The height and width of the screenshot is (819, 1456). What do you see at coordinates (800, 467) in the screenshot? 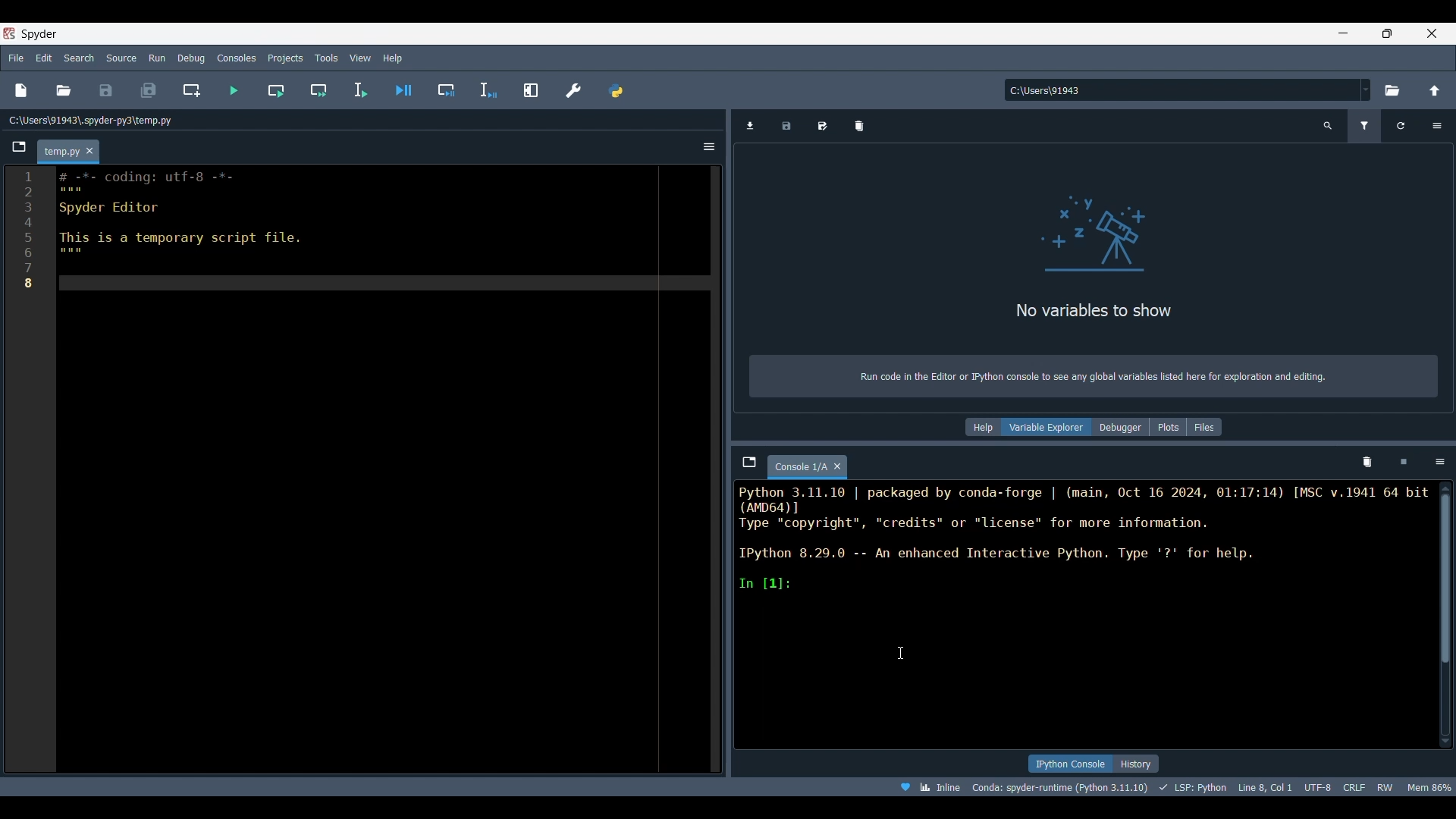
I see `Current tab` at bounding box center [800, 467].